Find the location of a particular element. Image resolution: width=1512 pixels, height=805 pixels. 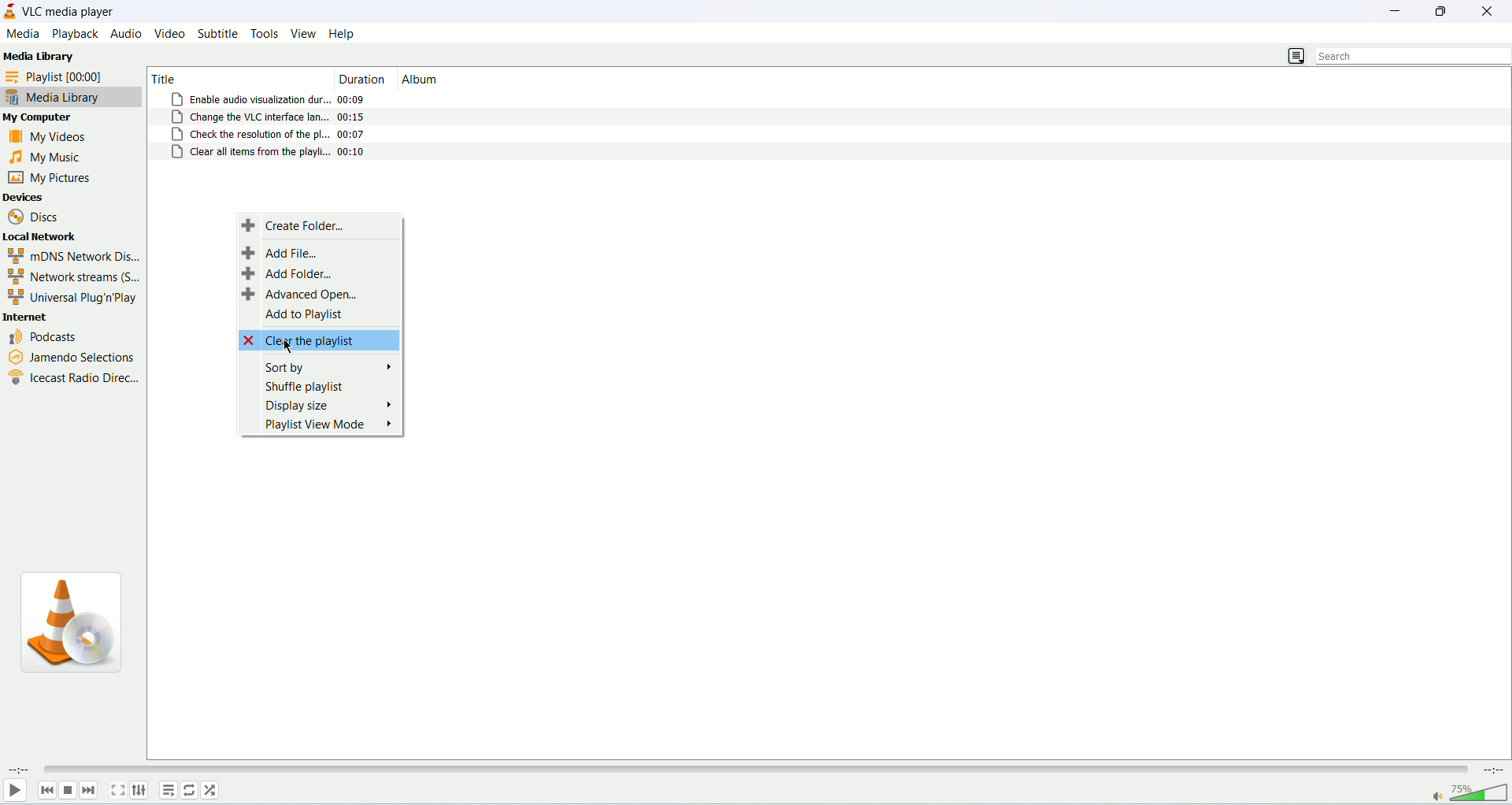

play/pause is located at coordinates (15, 793).